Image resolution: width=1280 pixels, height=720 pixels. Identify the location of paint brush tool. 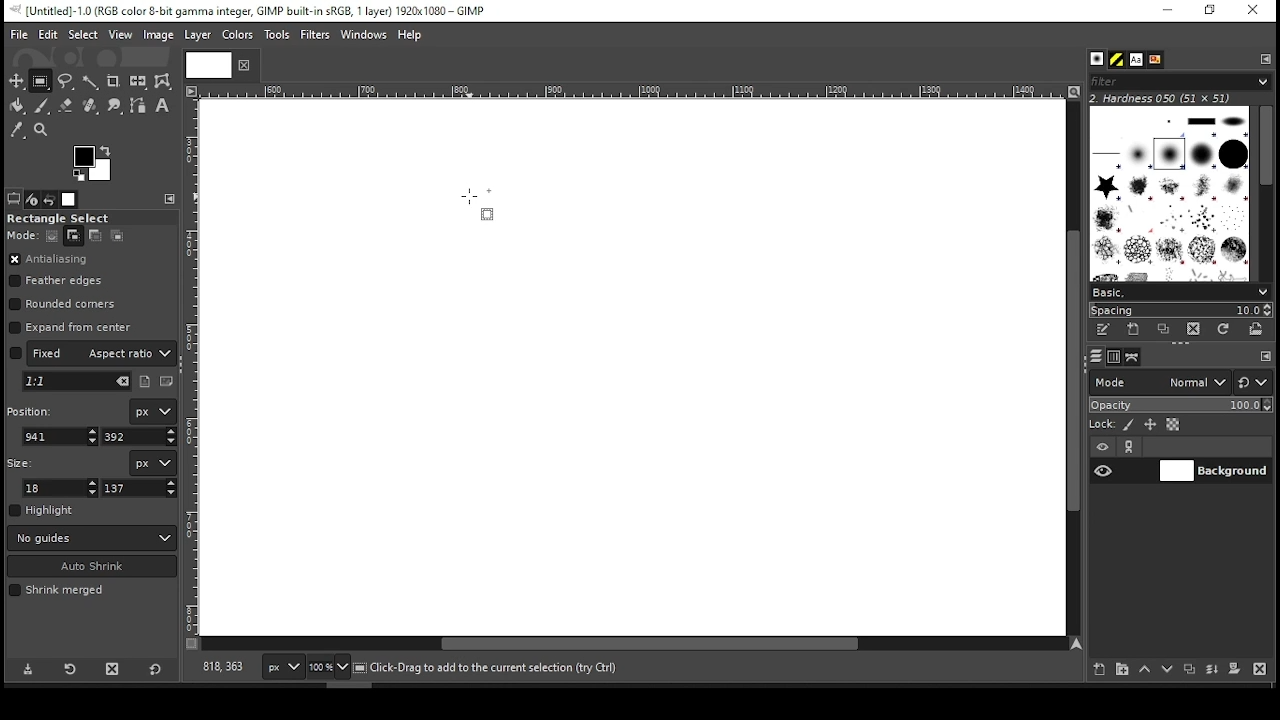
(42, 105).